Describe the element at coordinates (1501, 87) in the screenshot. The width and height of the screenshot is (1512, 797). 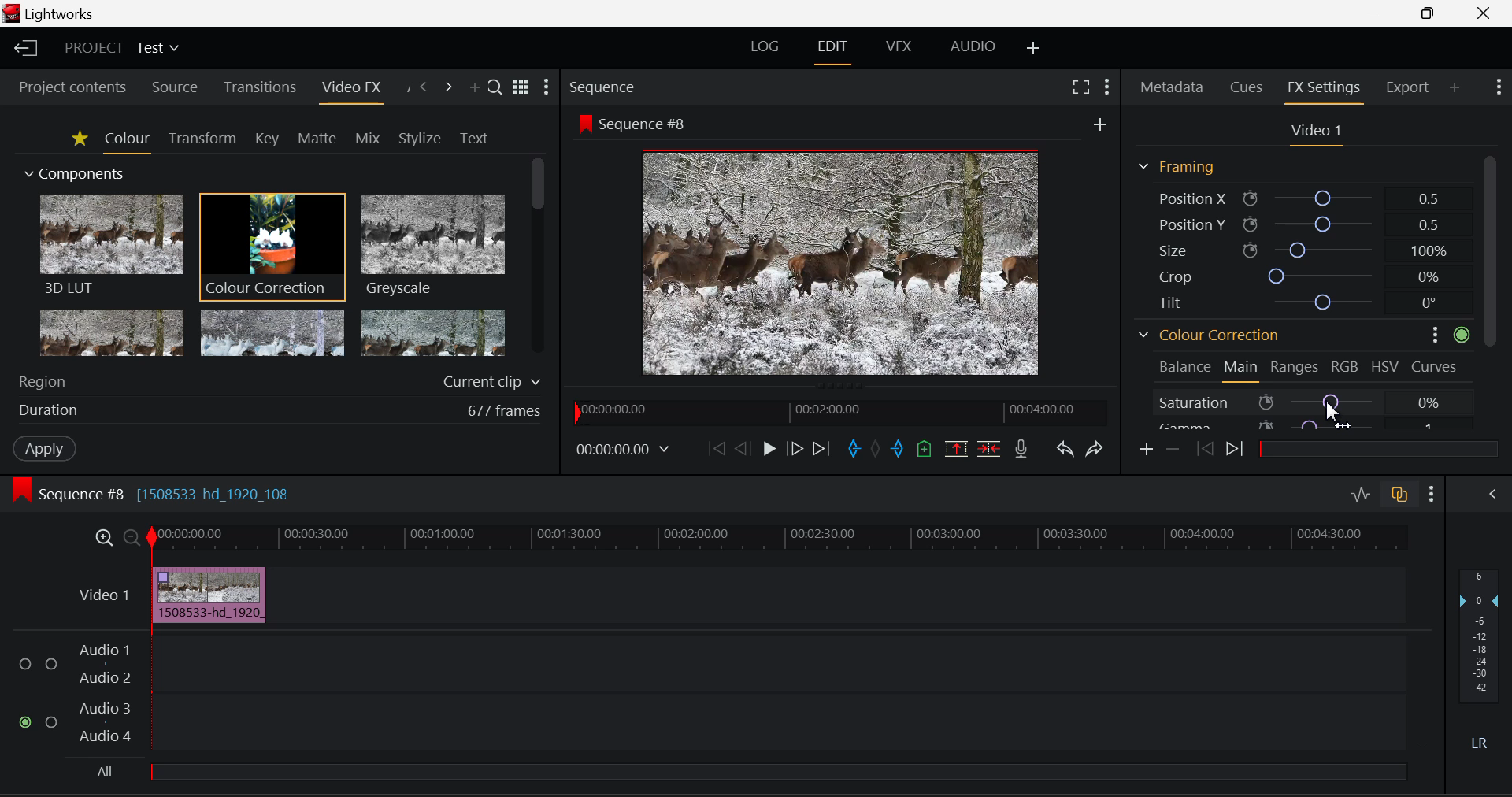
I see `Show Settings` at that location.